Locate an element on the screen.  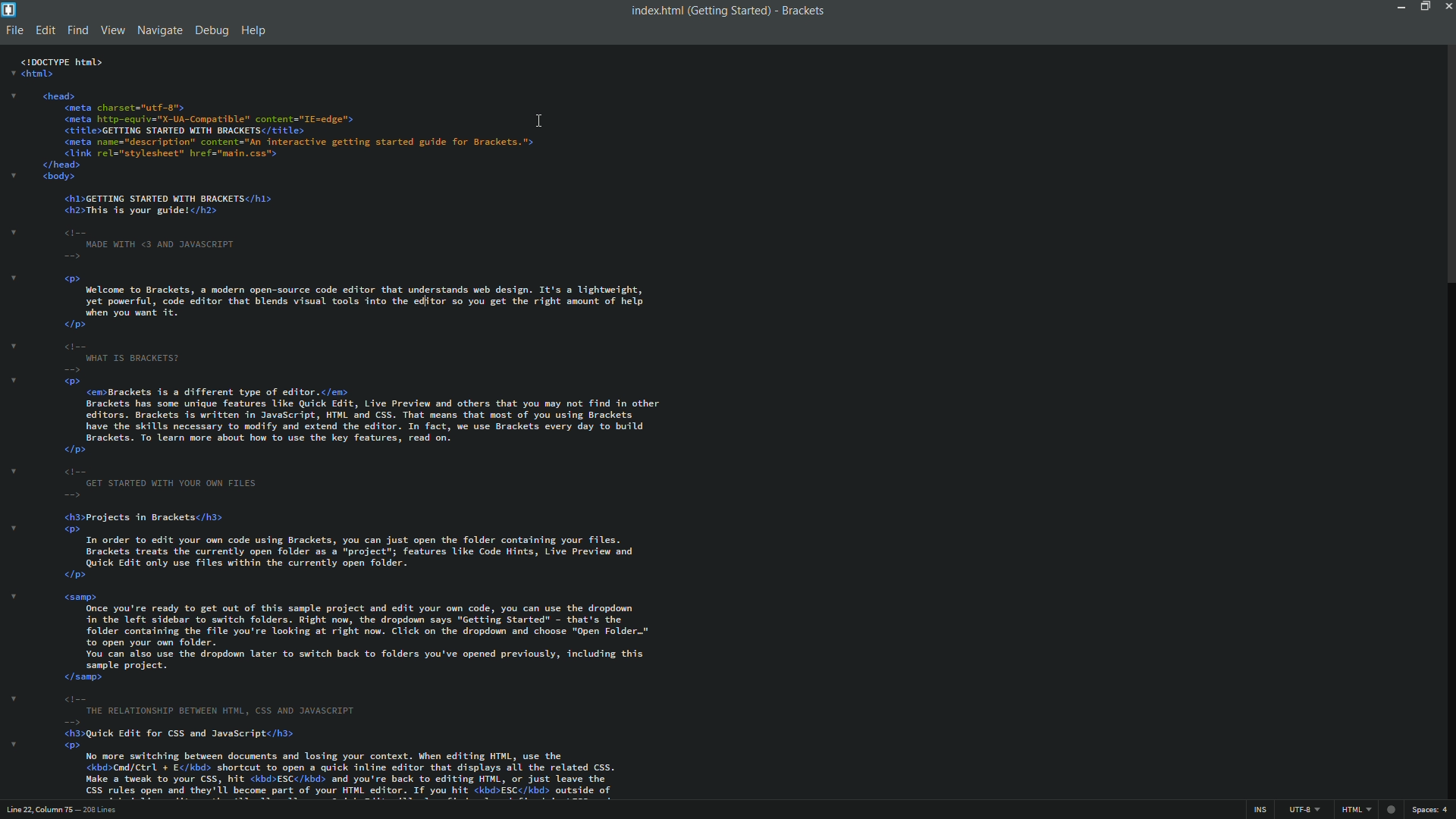
«>
Welcome to Brackets, a modern open-source code editor that understands web design. It's a lightweight,
yet powerful, code editor that blends visual tools into the editor so you get the right amount of help
when you want it.

</p>
WHAT IS BRACKETS?

w@
<emBrackets is a different type of editor.</em>
Brackets has some unique features Like Quick Edit, Live Preview and others that you may not find in other
editors. Brackets is written in Javascript, HTHL and CSS. That means that most of you using Brackets
have the skills necessary to modify and extend the editor. In fact, we use Brackets every day to build
Brackets. To learn more about how to use the key features, read on.

</p>
GET STARTED WITH YOUR OWN FILES

<h3>Projects in Brackets</h3>

>
In order to edit your own code using Brackets, you can just open the folder containing your files.
Brackets treats the currently open folder as a "project"; features like Code Hints, Live Preview and
Quick Edit only use files within the currently open folder.

</p>

<samp>
Once you're ready to get out of this sample project and edit your own code, you can use the dropdown
in the left sidebar to switch folders. Right now, the dropdown says "Getting Started" - that's the
folder containing the file you're looking at right now. Click on the dropdown and choose "Open Folder."
to open your own folder.
You can also use the dropdown later to switch back to folders you've opened previously, including this
sample project.

</samp>
THE RELATIONSHIP BETWEEN HTHL, CSS AND JAVASCRIPT

<h3>Quick Edit for Cs and Javascripte/h3>

>
No more switching between documents and losing your context. When editing HTNL, use the
<kbd>Cnd/Ctrl + E</kbd> shortcut to open a quick inline editor that displays all the related Css.
Make a tweak to your CSS, hit <kbd>ESC</kbd> and you're back to editing HTML, or just leave the
CSS rules open and they'll become part of your HTML editor. If you hit ckbd>ESC</kbd> outside of is located at coordinates (372, 535).